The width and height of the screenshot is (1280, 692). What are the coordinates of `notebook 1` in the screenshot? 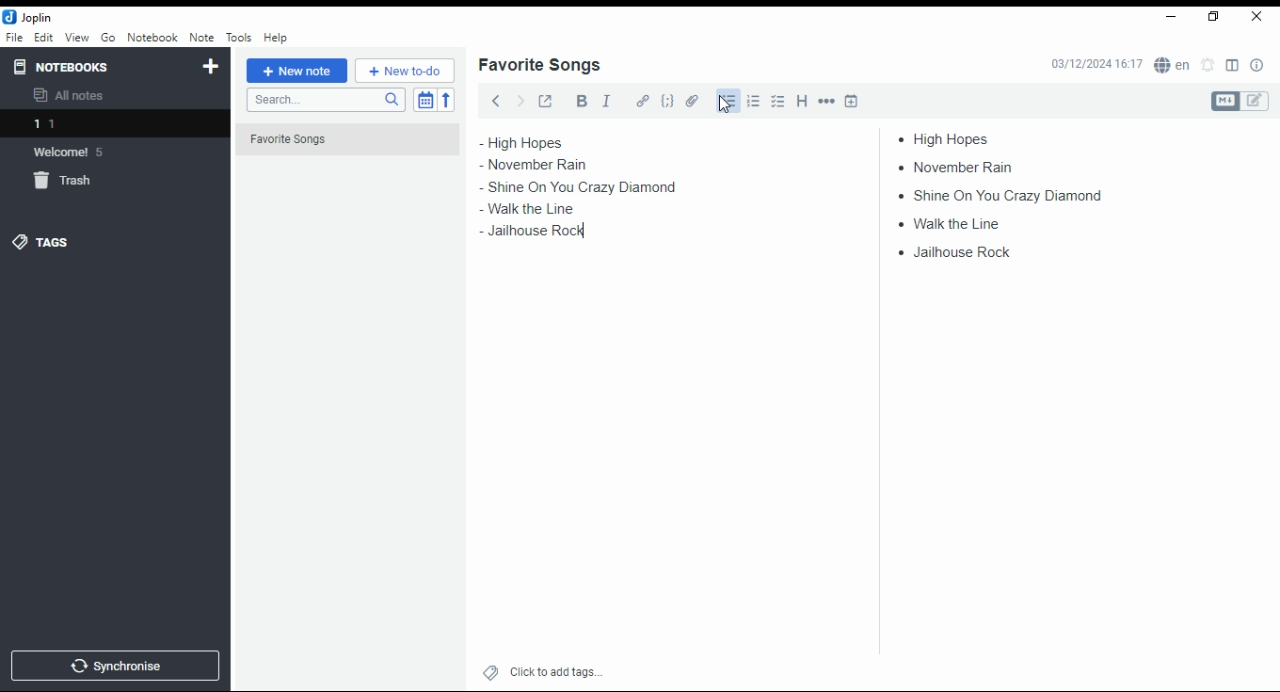 It's located at (73, 126).